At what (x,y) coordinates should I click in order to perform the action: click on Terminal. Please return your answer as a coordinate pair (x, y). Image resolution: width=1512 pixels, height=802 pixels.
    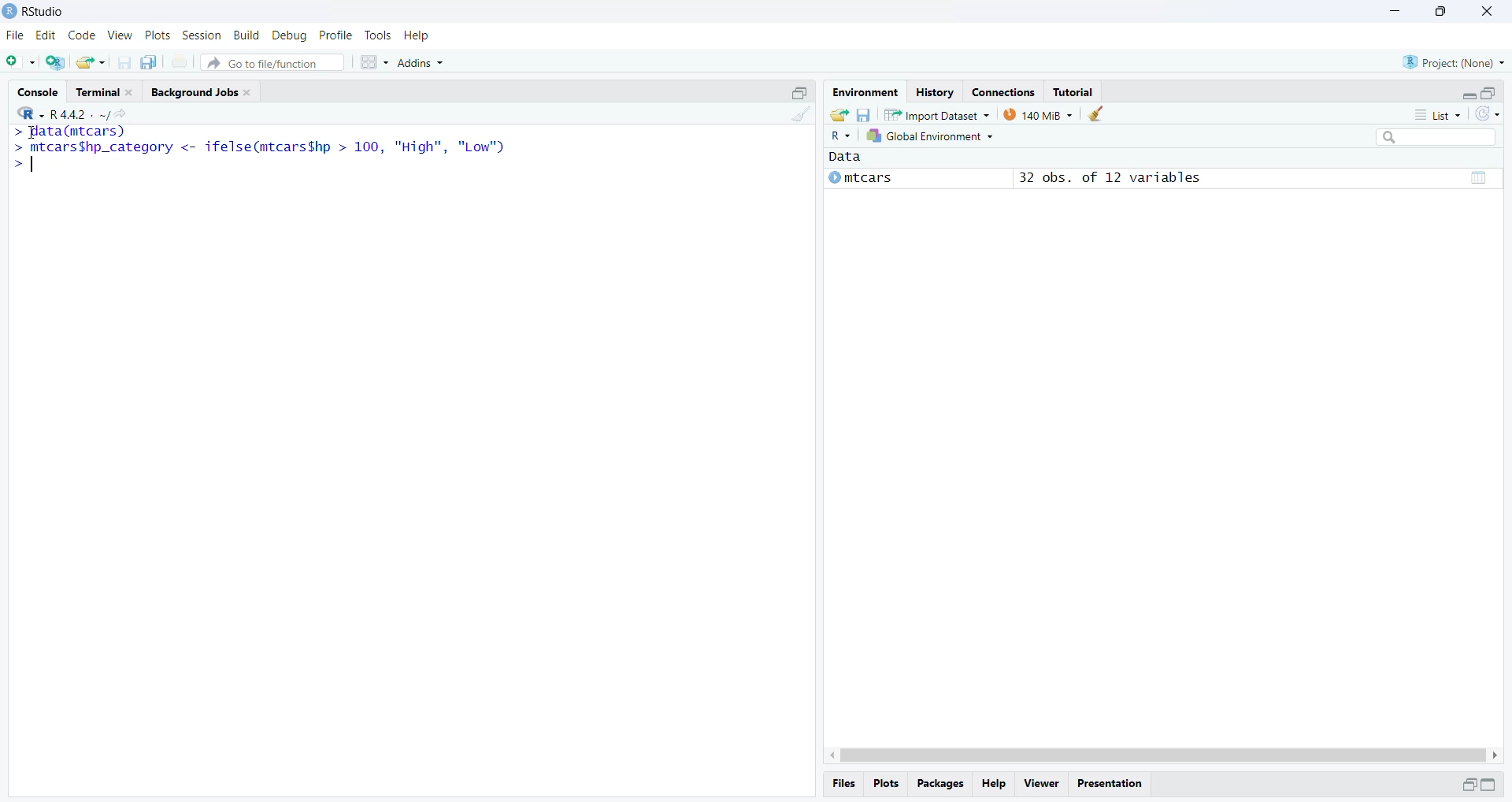
    Looking at the image, I should click on (106, 91).